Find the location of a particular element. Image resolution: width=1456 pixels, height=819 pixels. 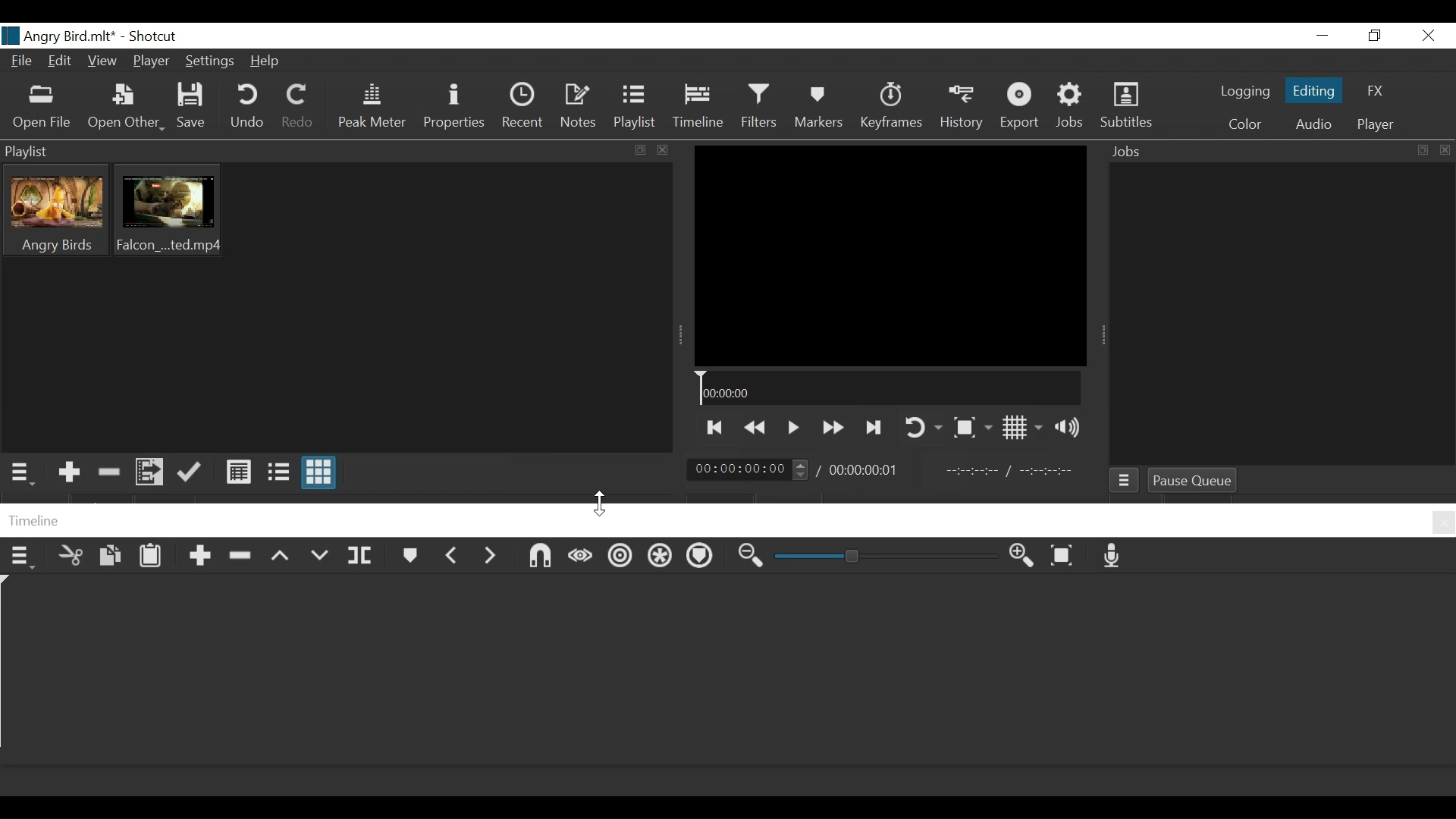

Save is located at coordinates (195, 106).